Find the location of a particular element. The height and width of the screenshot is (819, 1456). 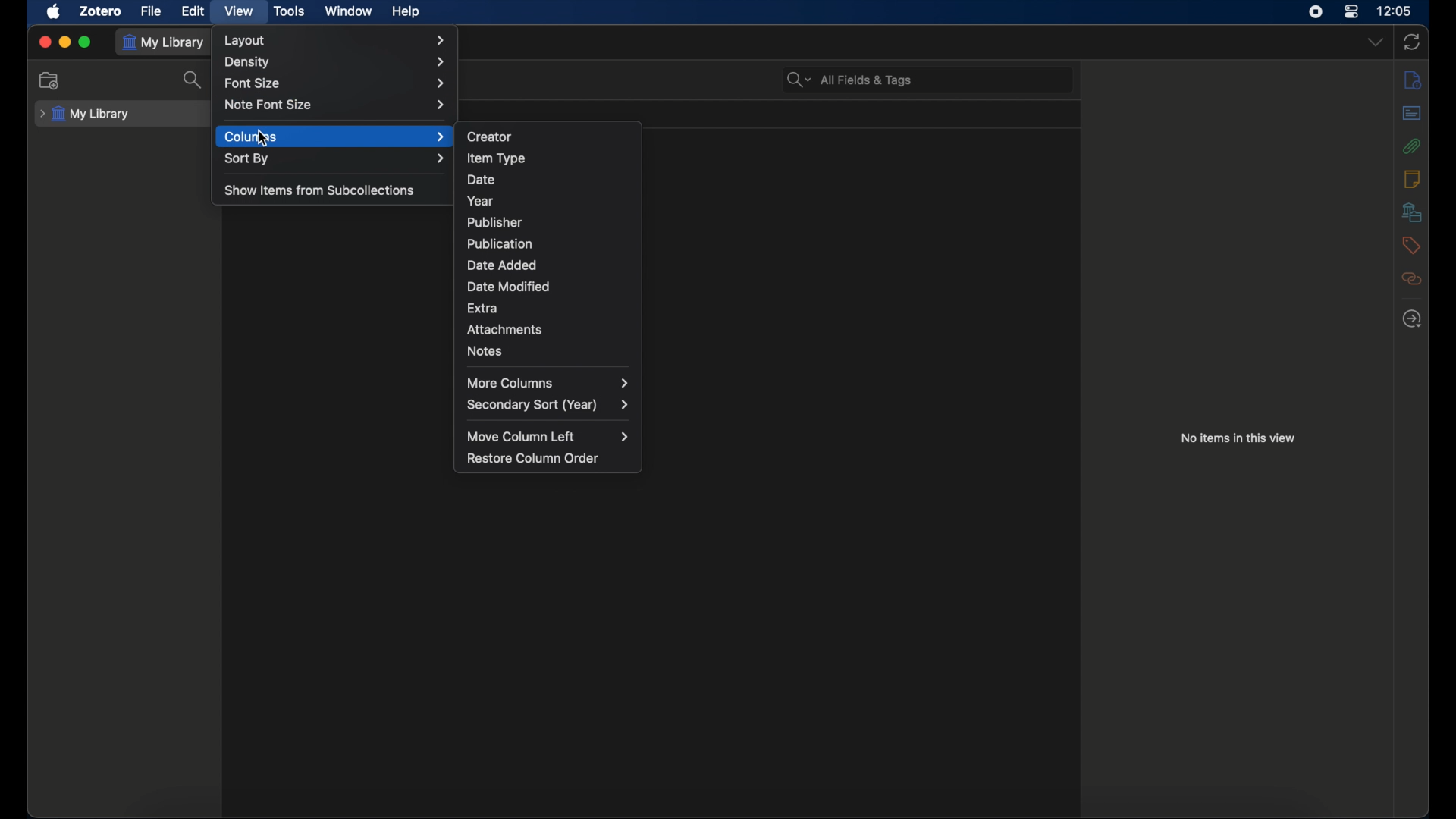

close is located at coordinates (44, 42).